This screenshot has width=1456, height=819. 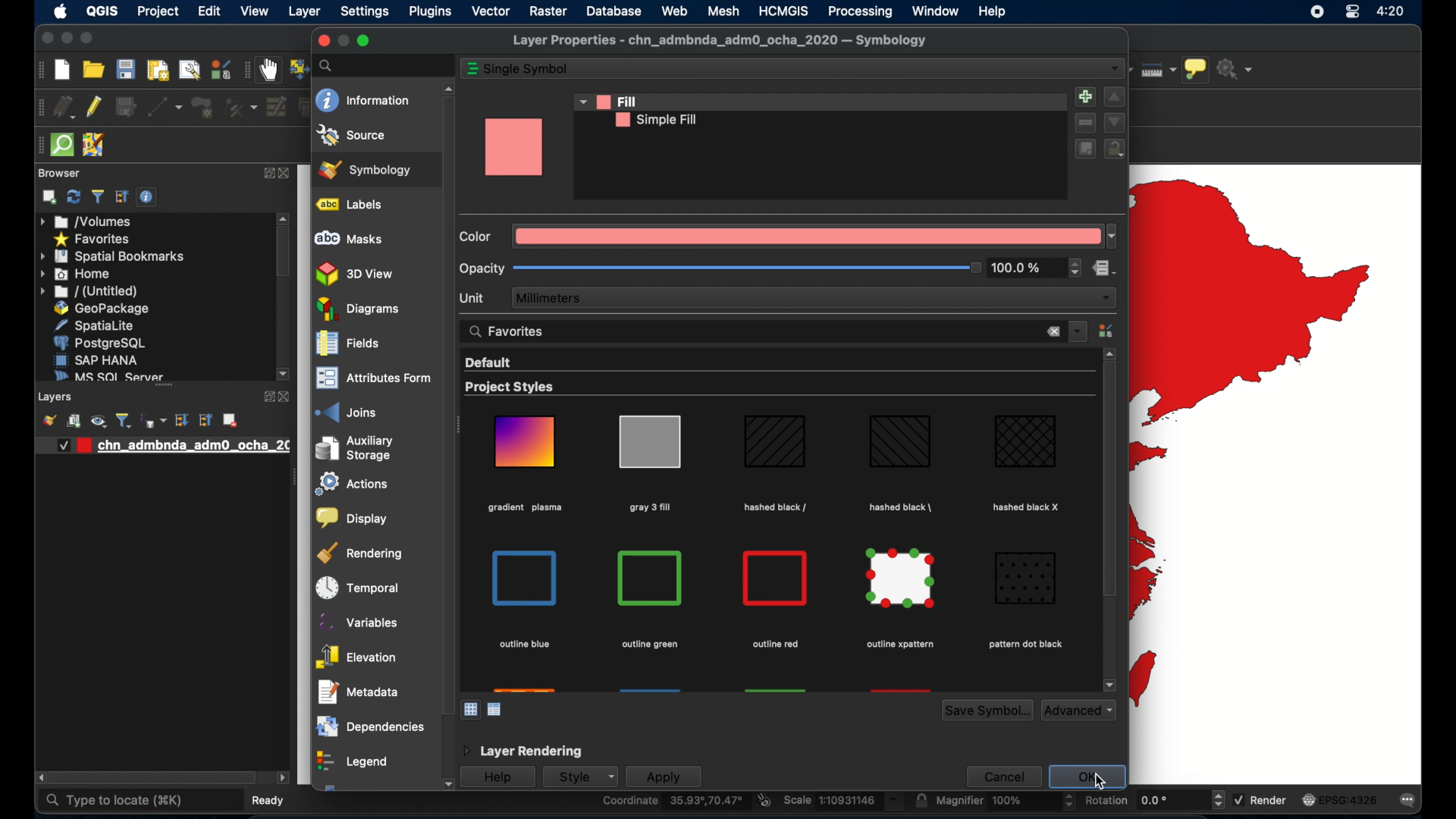 I want to click on Gradient preview , so click(x=649, y=441).